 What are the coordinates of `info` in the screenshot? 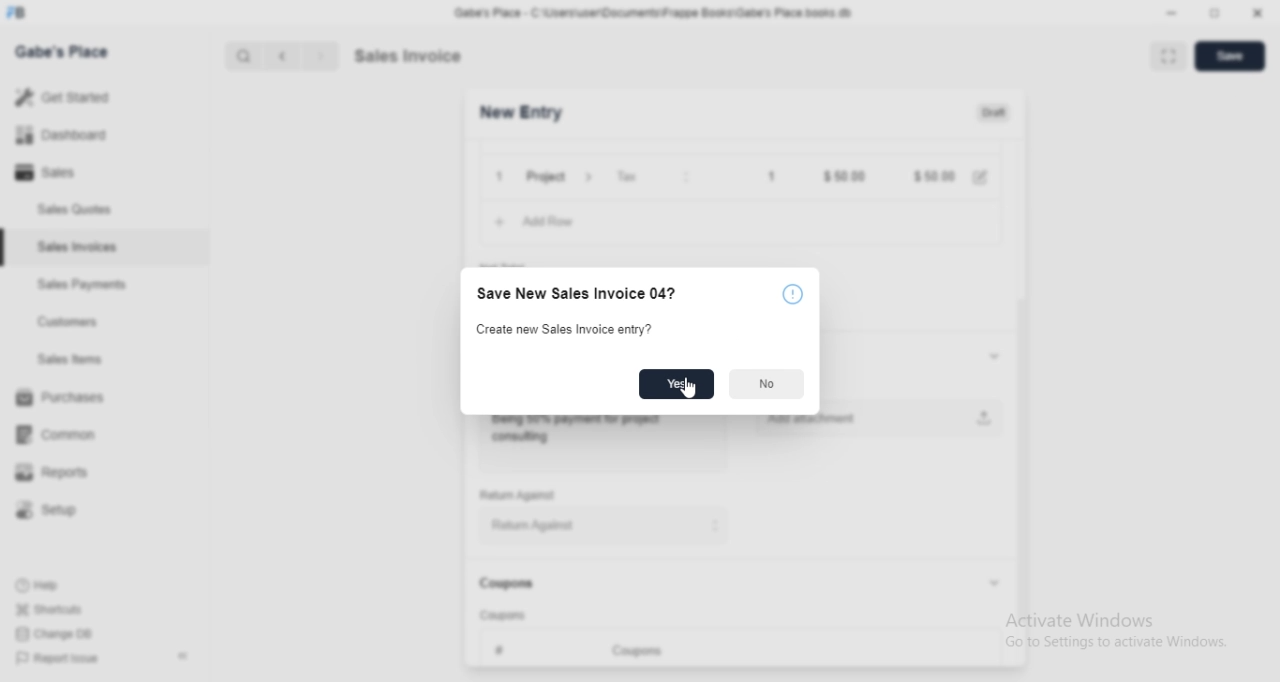 It's located at (791, 293).